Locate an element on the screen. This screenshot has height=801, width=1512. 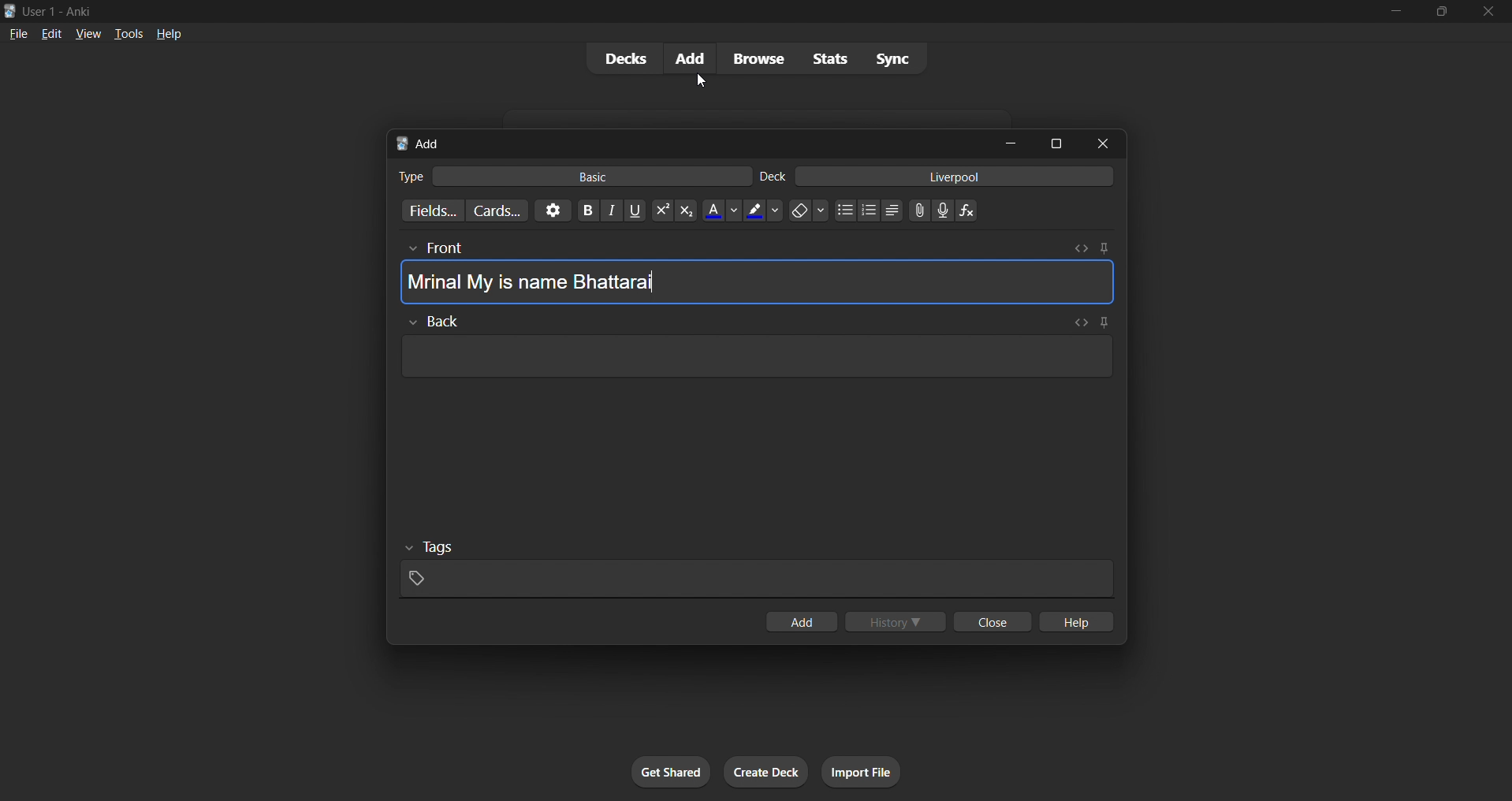
add is located at coordinates (799, 620).